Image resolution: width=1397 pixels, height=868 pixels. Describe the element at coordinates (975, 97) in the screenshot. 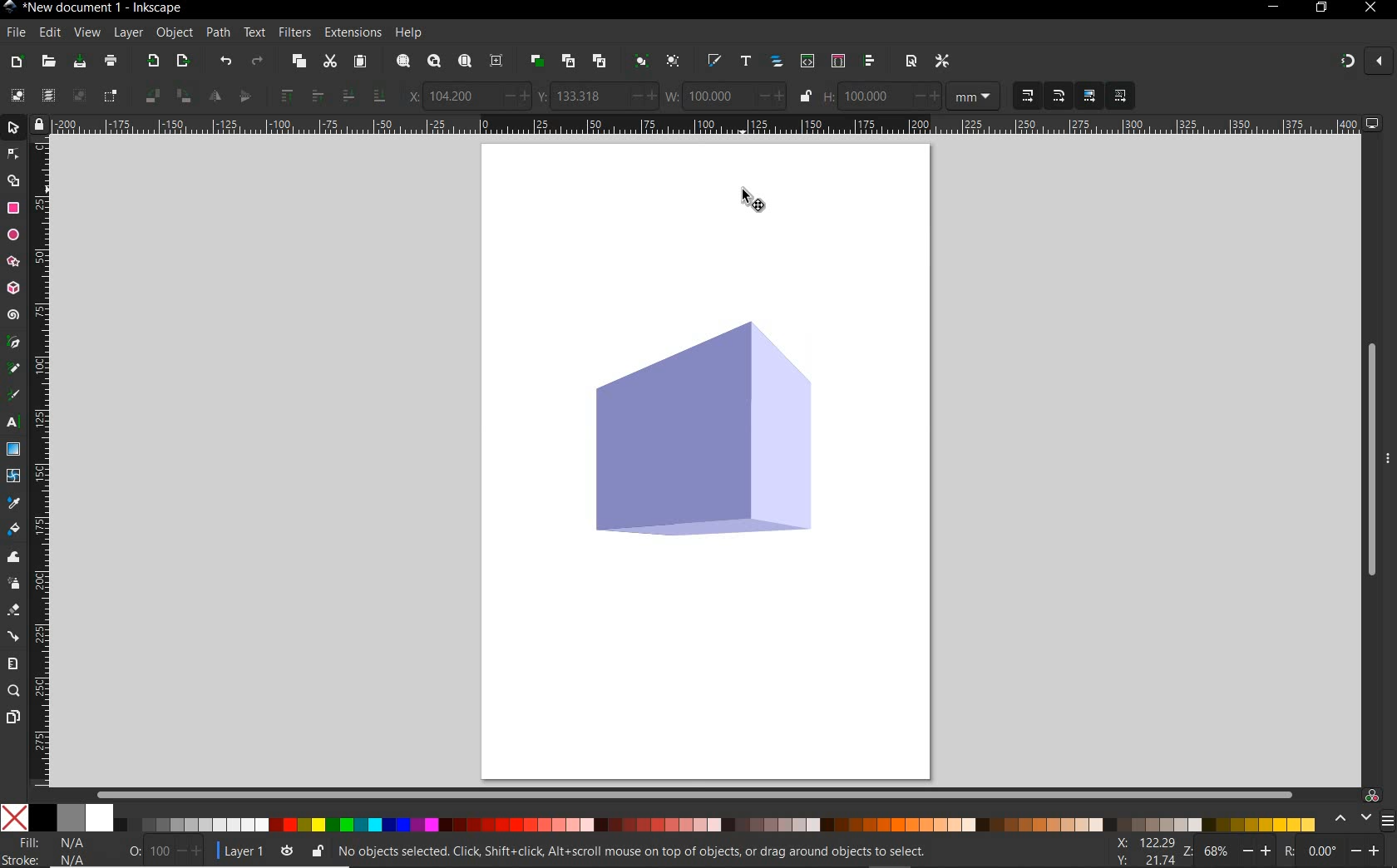

I see `measurement` at that location.